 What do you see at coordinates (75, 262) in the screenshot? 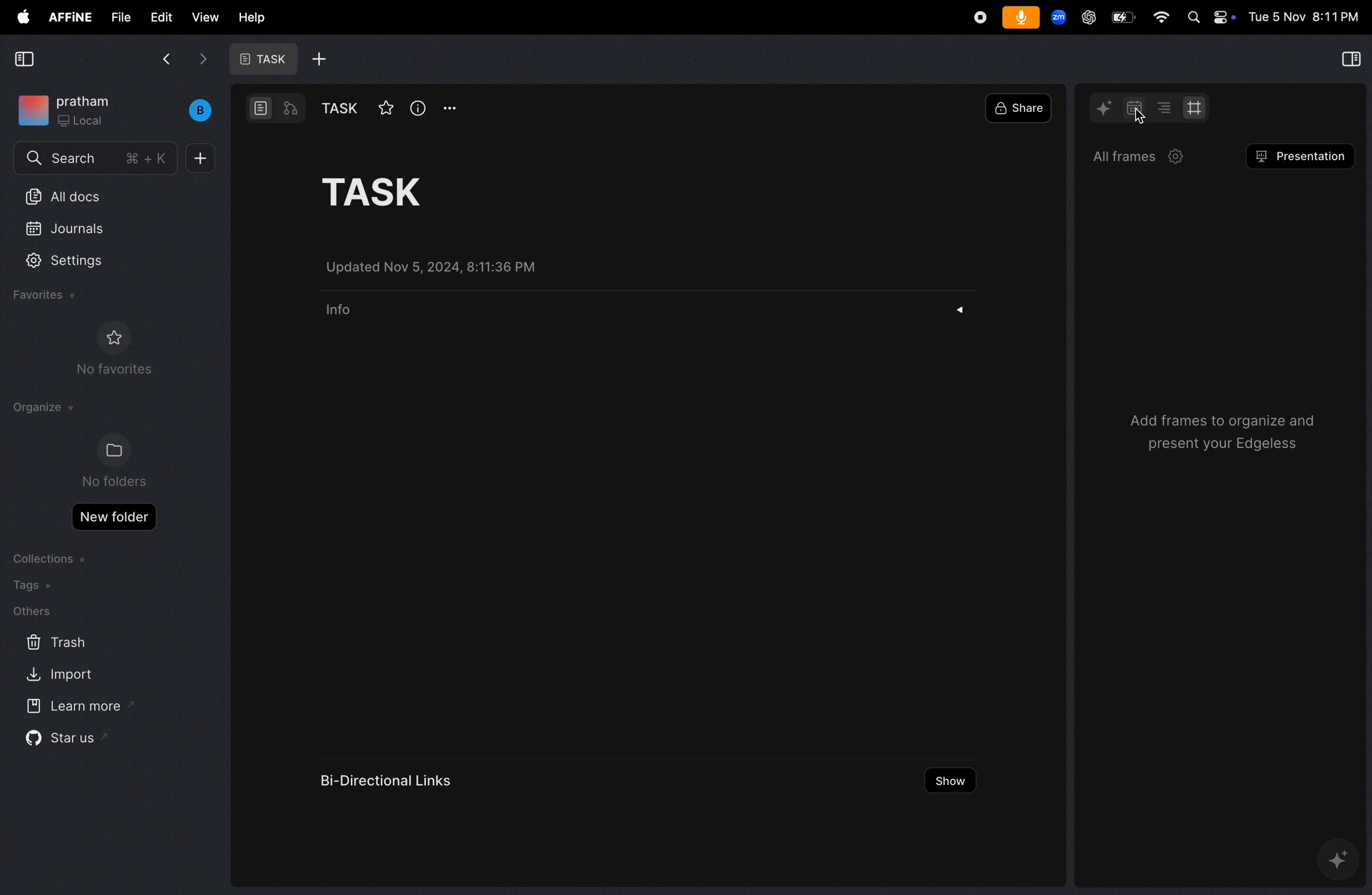
I see `settings` at bounding box center [75, 262].